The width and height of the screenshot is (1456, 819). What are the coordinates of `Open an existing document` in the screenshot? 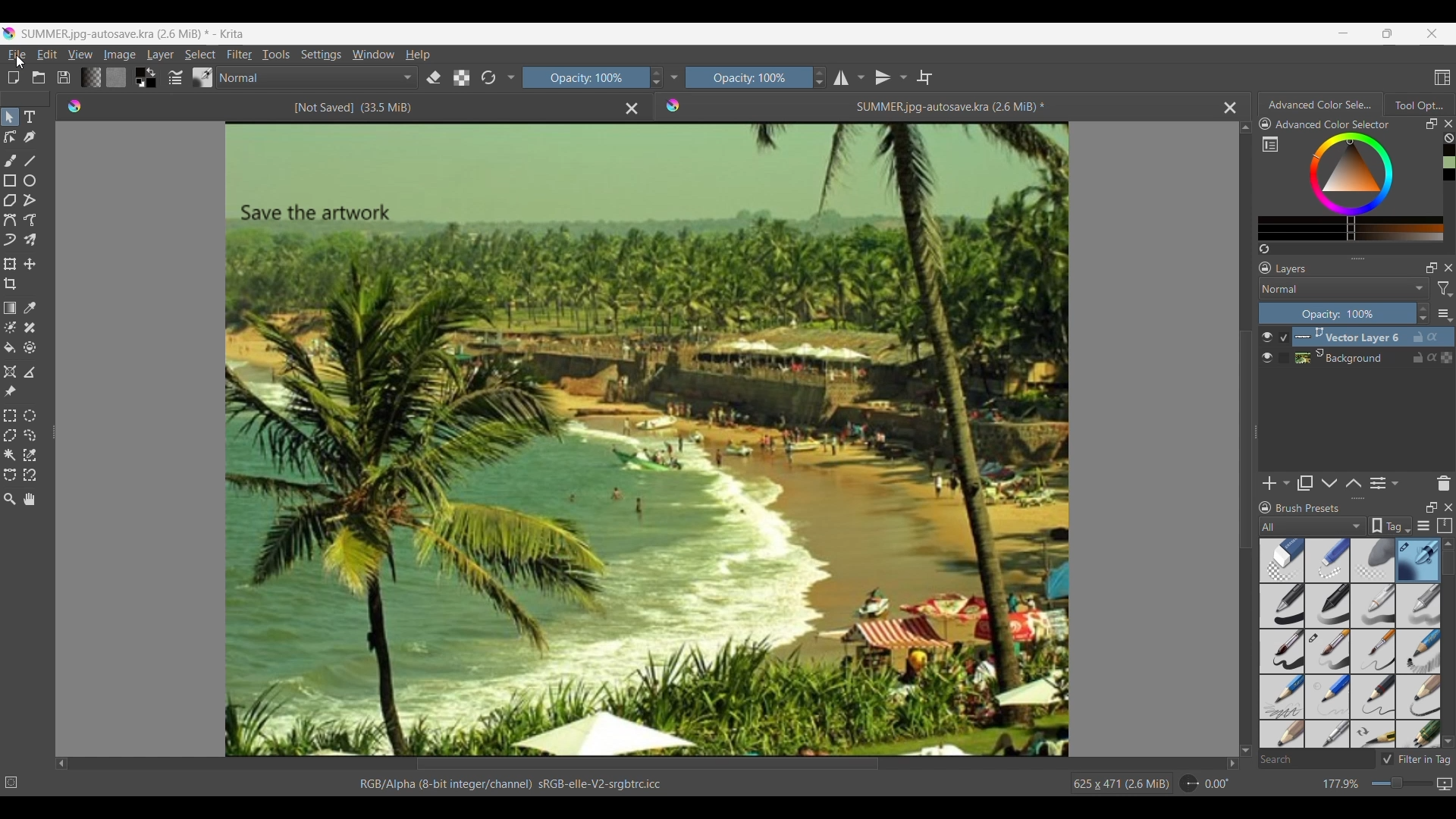 It's located at (39, 77).